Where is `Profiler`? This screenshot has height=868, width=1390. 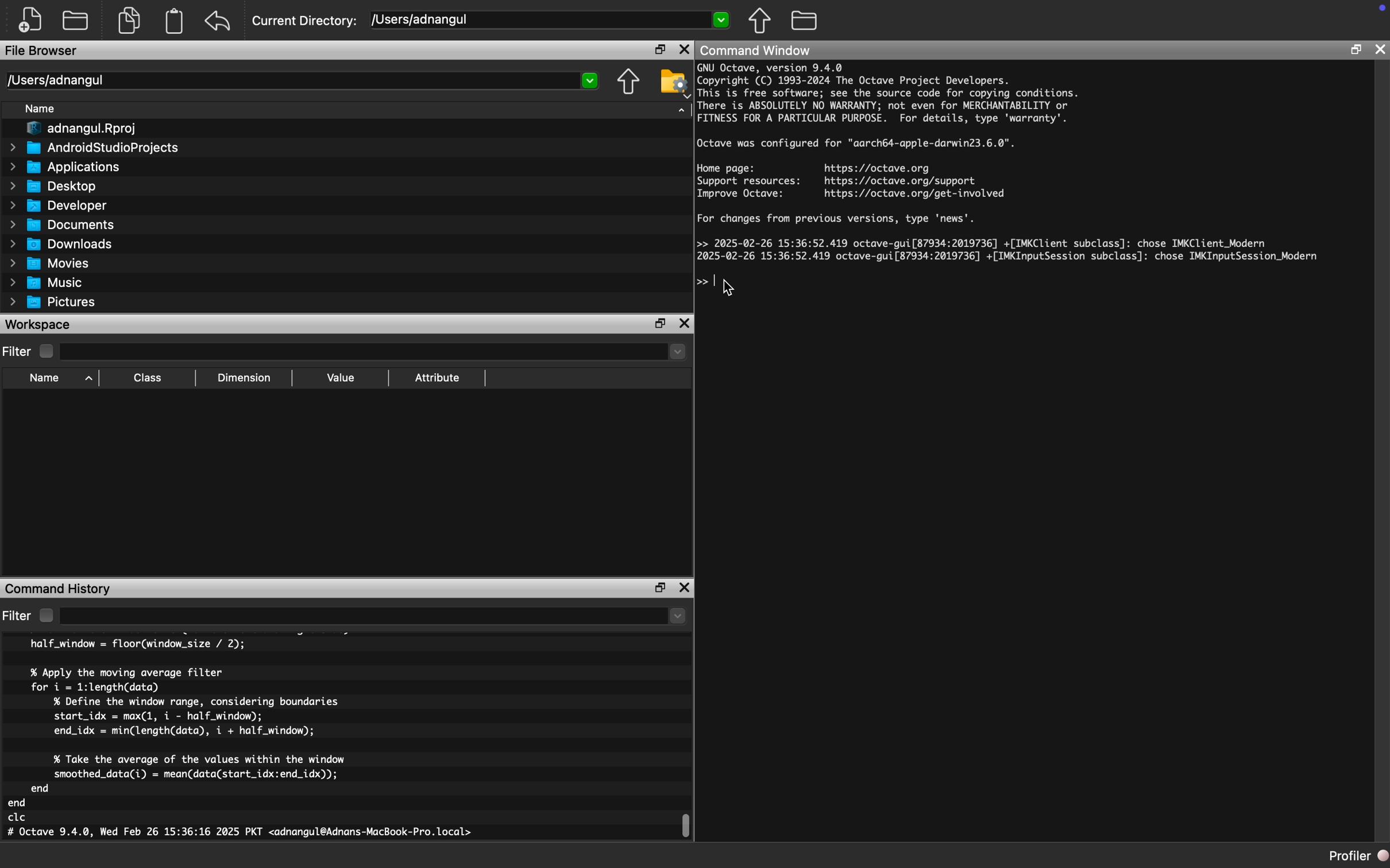 Profiler is located at coordinates (1357, 856).